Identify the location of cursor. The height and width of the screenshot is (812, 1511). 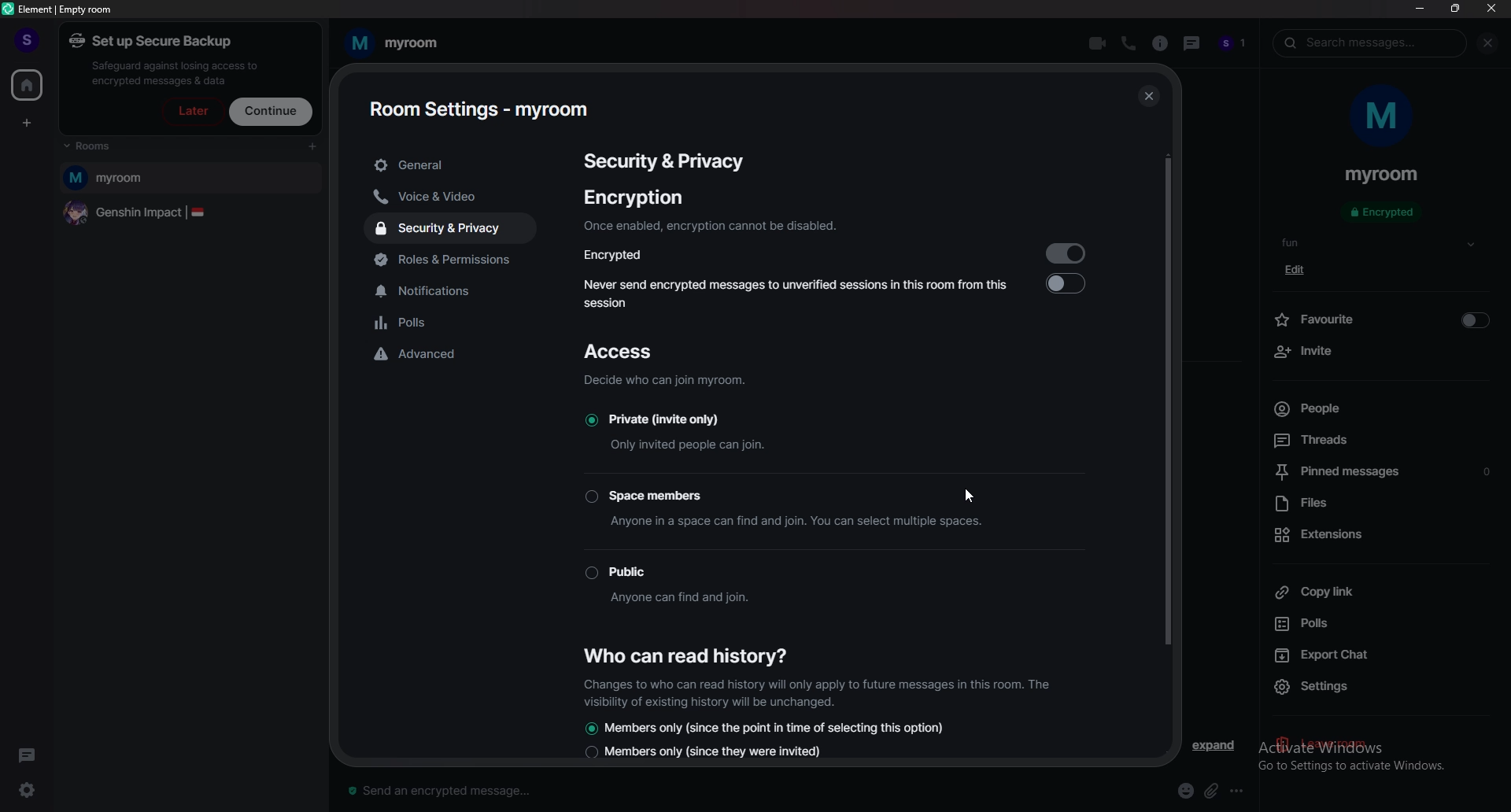
(970, 493).